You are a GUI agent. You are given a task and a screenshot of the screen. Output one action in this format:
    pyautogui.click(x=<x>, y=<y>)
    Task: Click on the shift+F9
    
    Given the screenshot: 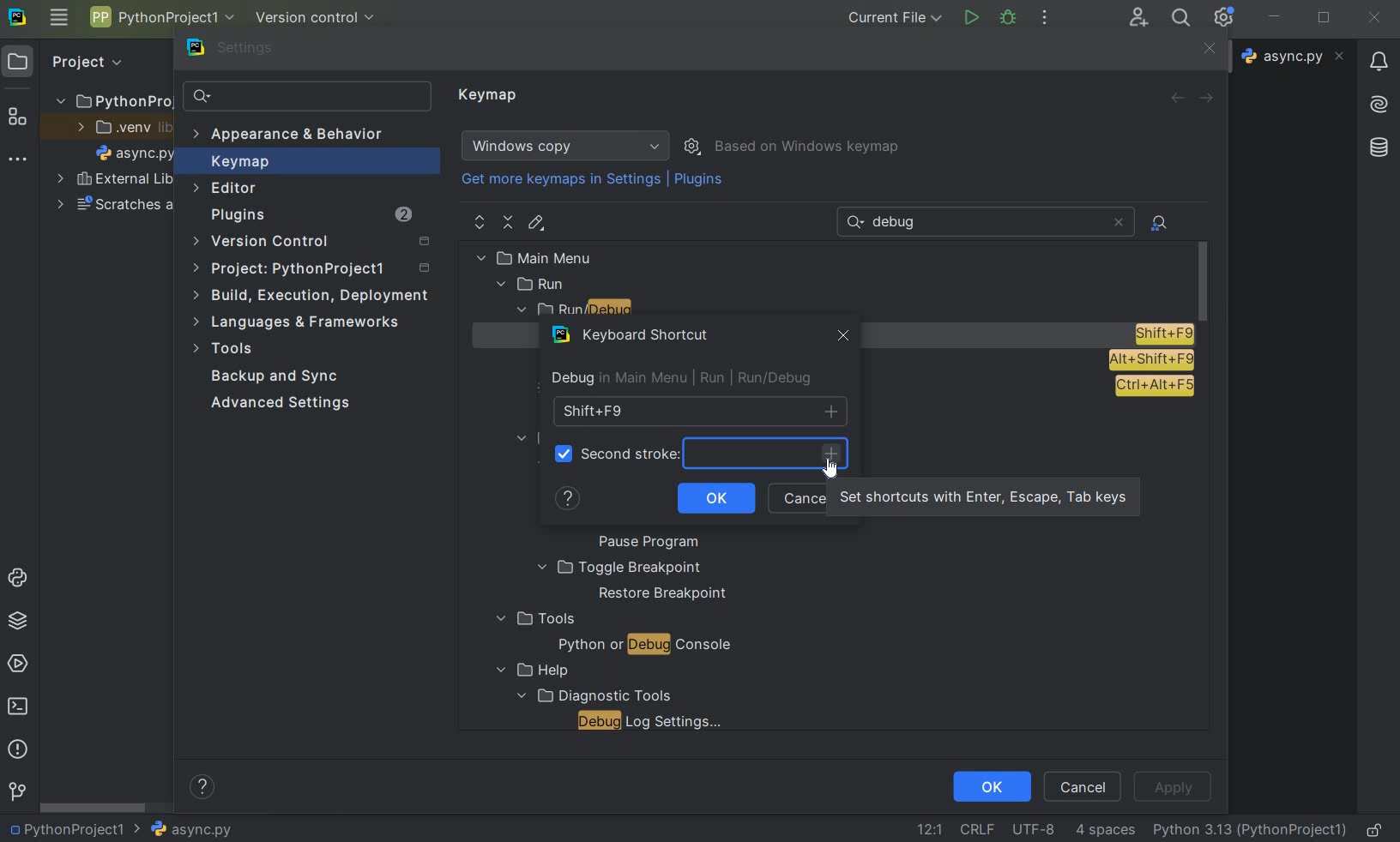 What is the action you would take?
    pyautogui.click(x=699, y=412)
    